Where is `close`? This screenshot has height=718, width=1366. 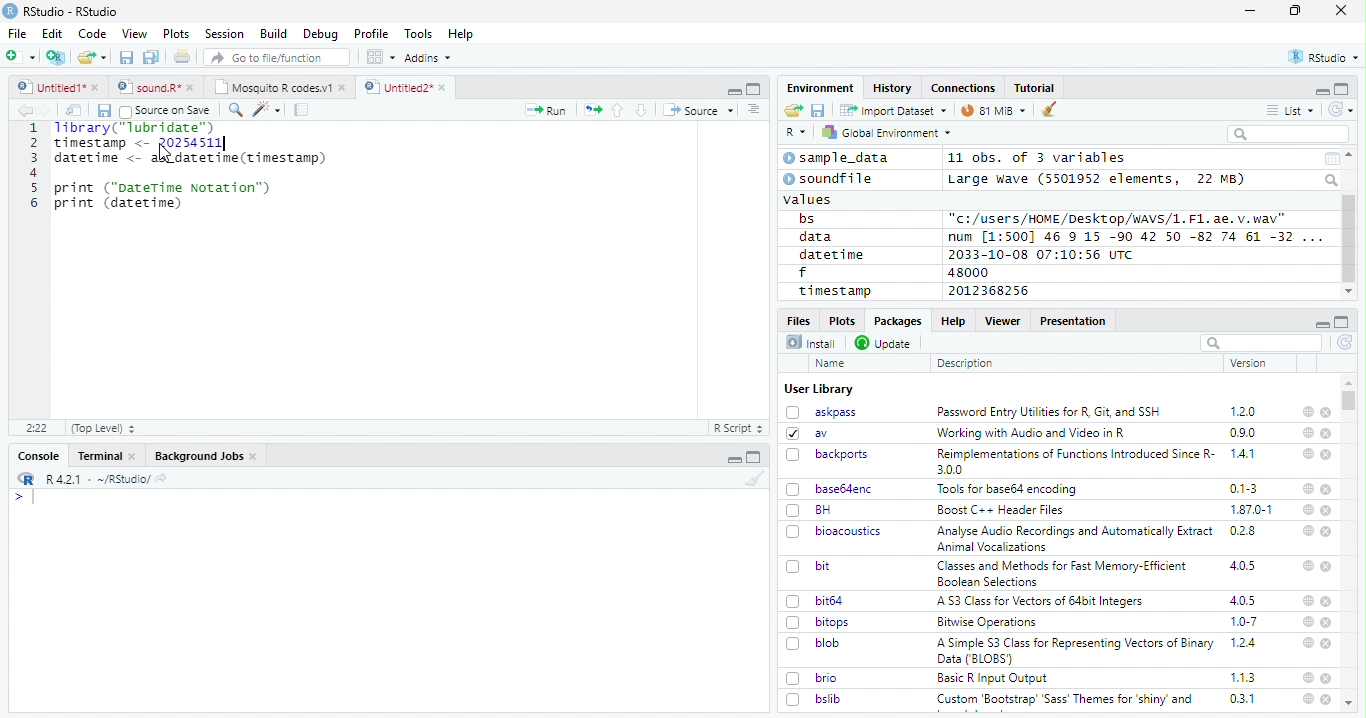 close is located at coordinates (1327, 623).